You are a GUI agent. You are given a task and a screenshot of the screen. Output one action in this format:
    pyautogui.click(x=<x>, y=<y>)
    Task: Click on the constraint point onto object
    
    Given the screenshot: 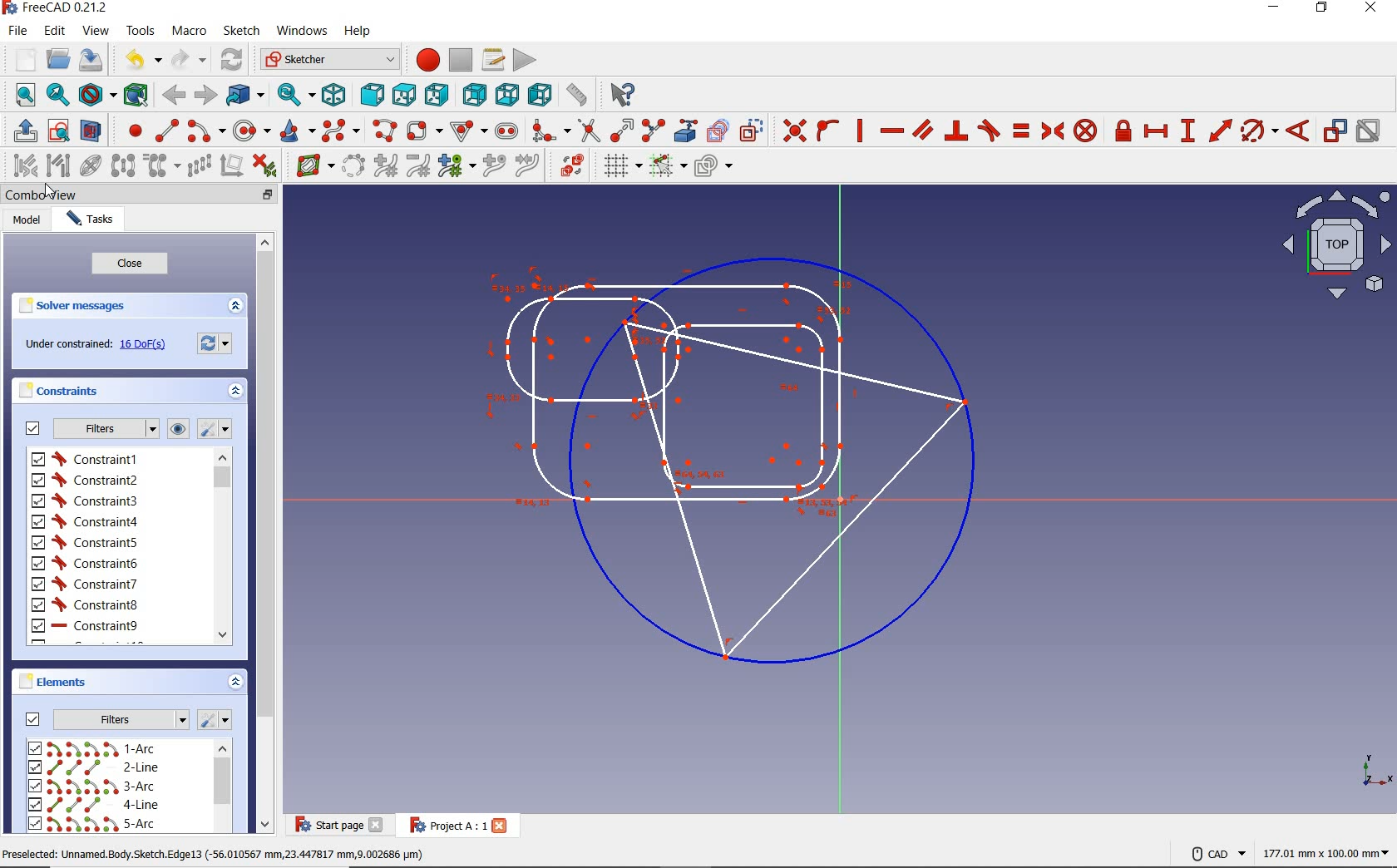 What is the action you would take?
    pyautogui.click(x=827, y=128)
    